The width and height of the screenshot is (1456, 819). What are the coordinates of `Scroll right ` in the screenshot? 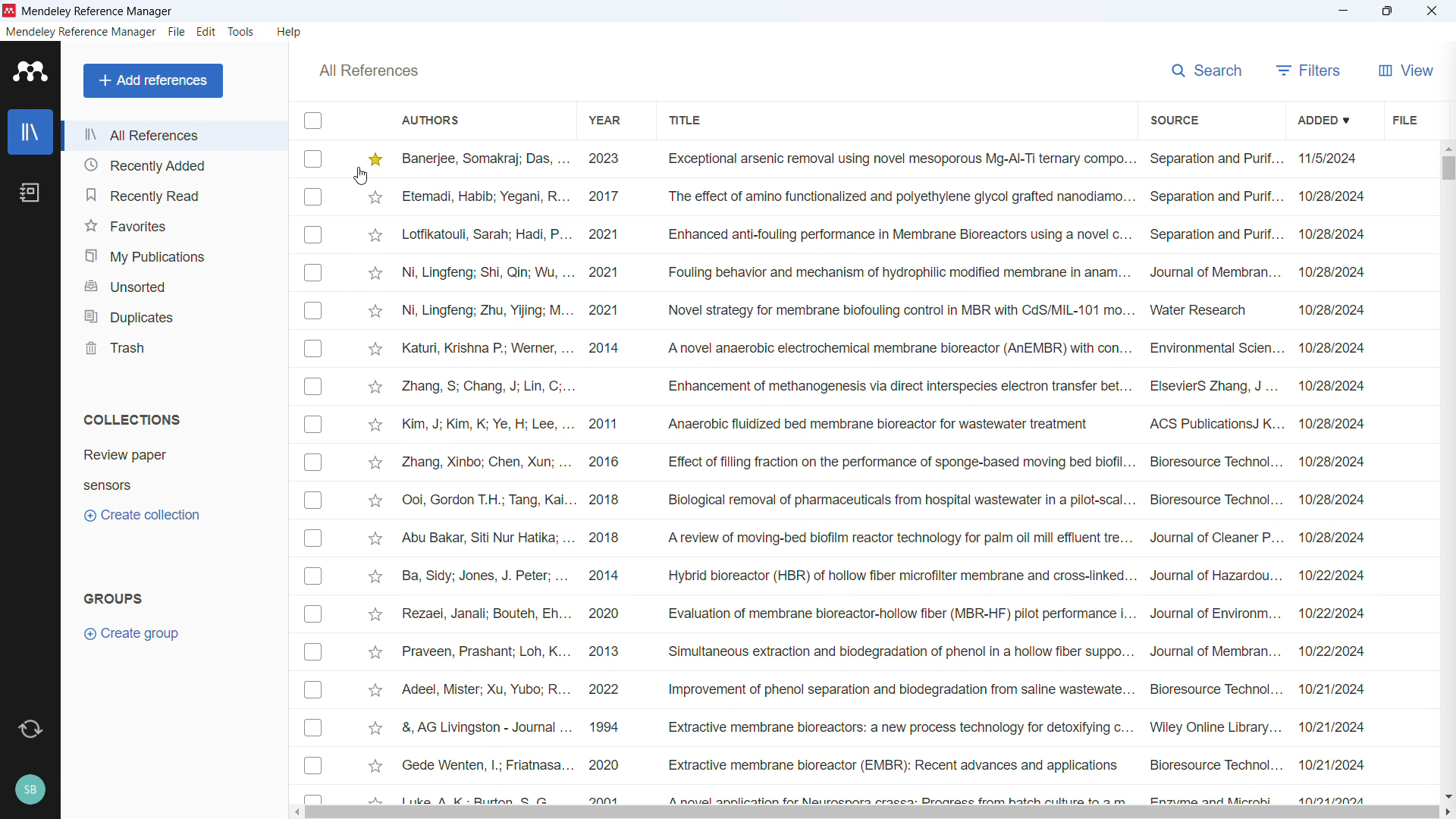 It's located at (1447, 811).